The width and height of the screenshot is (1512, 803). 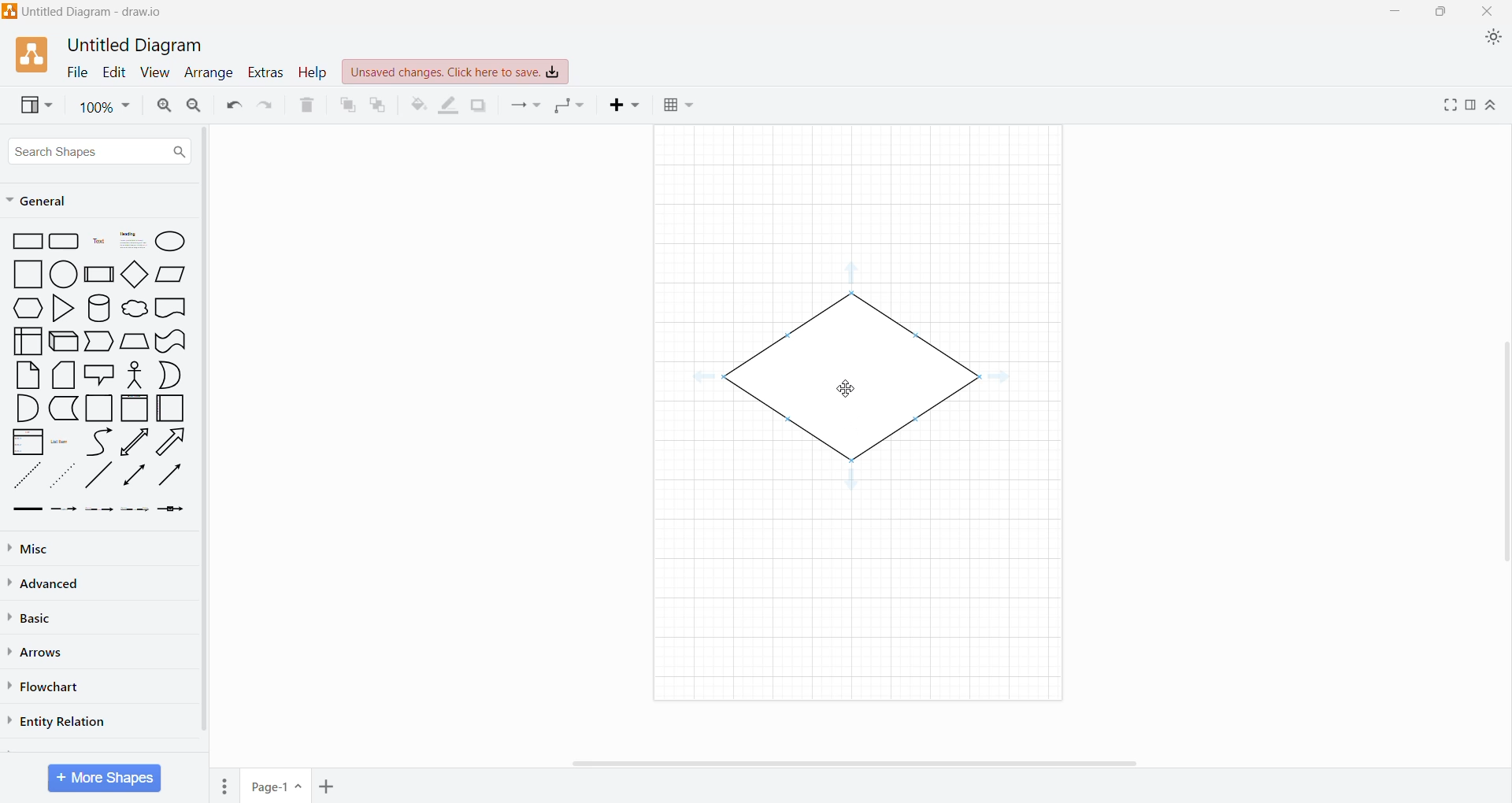 I want to click on To Front, so click(x=345, y=107).